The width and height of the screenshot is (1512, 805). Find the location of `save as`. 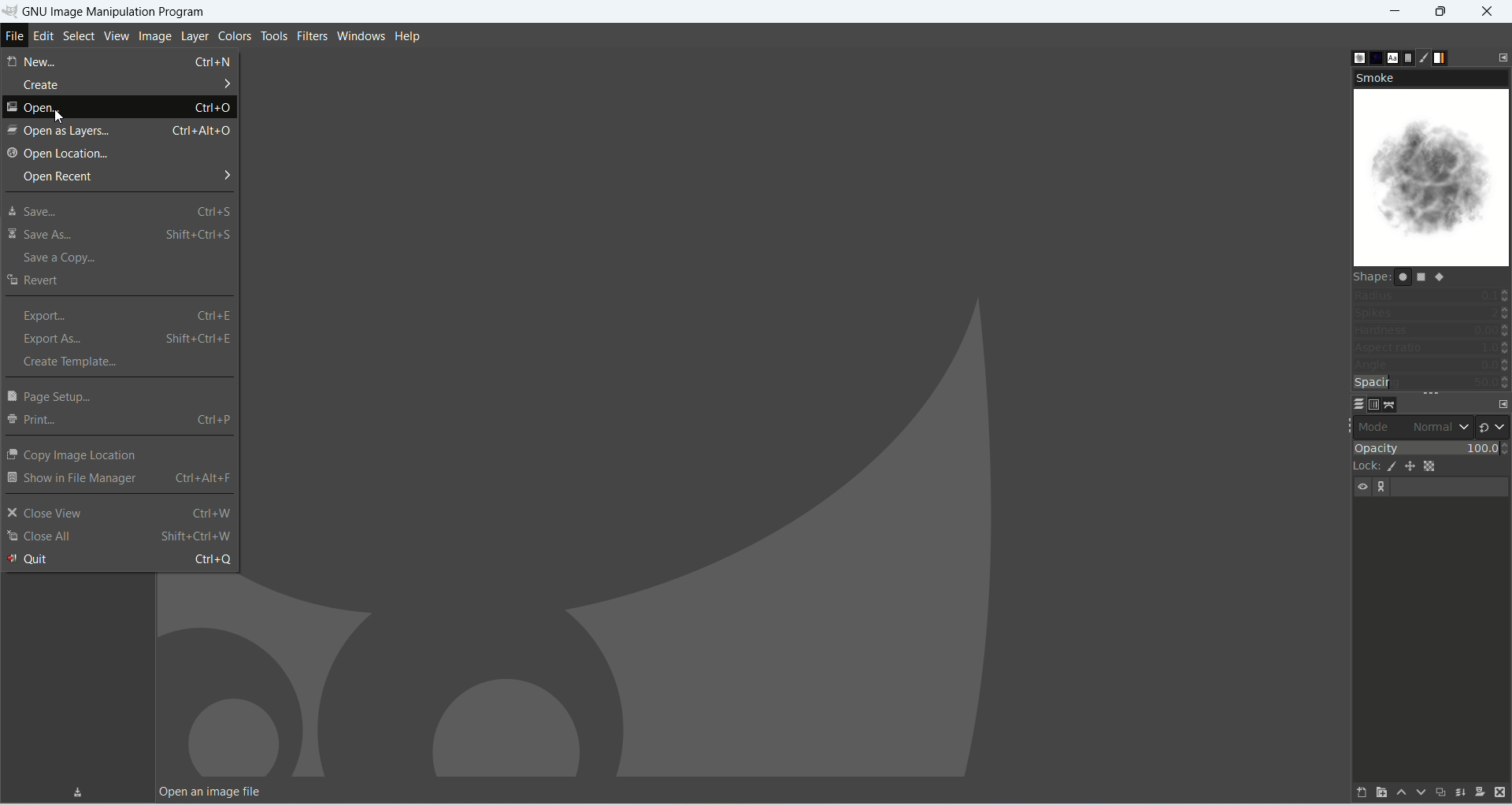

save as is located at coordinates (120, 236).